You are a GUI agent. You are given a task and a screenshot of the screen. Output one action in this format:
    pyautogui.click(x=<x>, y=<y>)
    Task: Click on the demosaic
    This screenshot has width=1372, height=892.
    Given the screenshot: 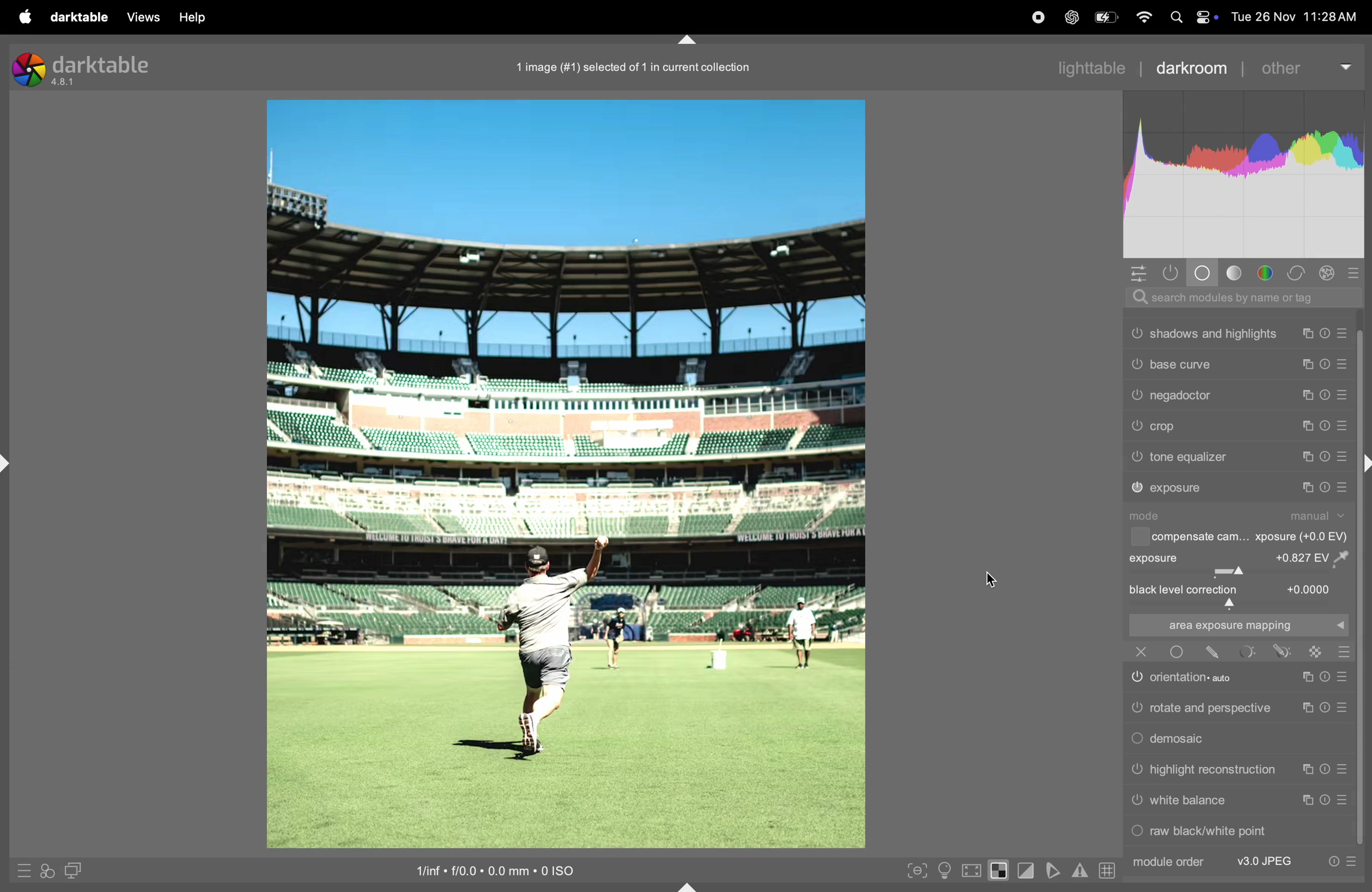 What is the action you would take?
    pyautogui.click(x=1182, y=739)
    